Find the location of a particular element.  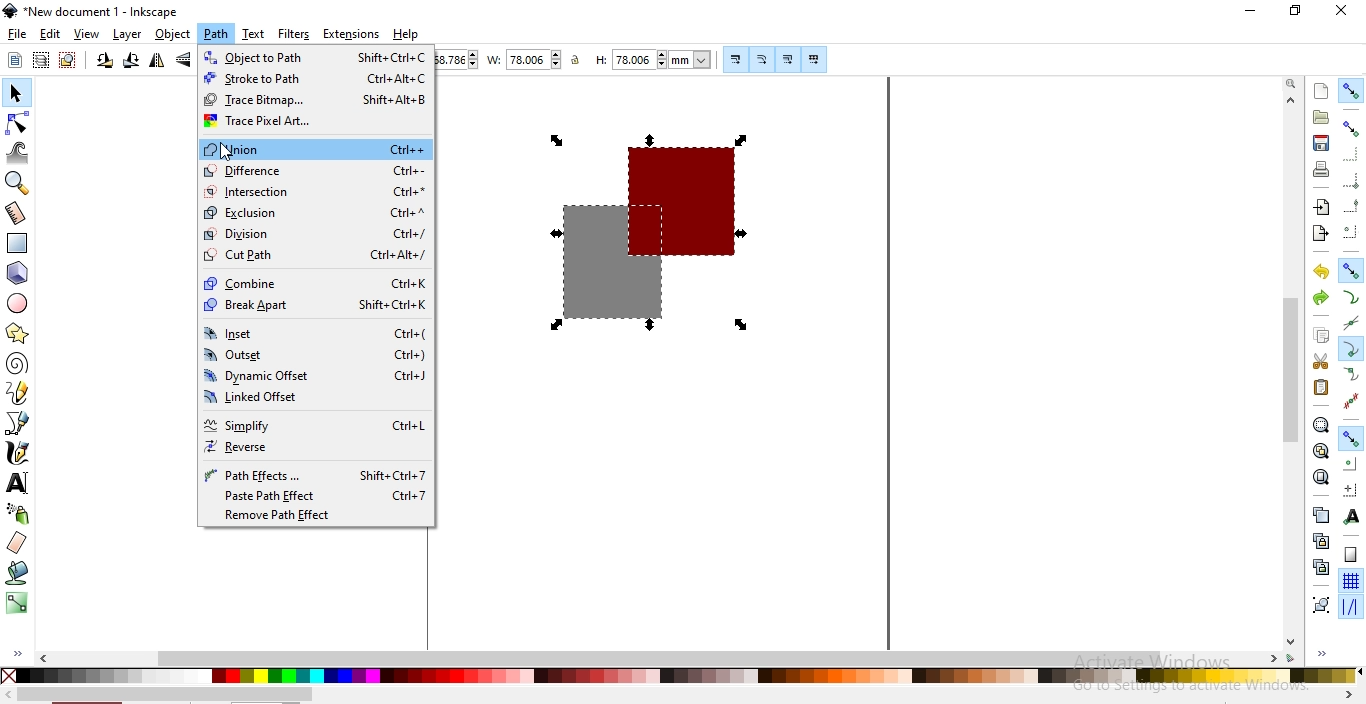

open existing document is located at coordinates (1321, 117).